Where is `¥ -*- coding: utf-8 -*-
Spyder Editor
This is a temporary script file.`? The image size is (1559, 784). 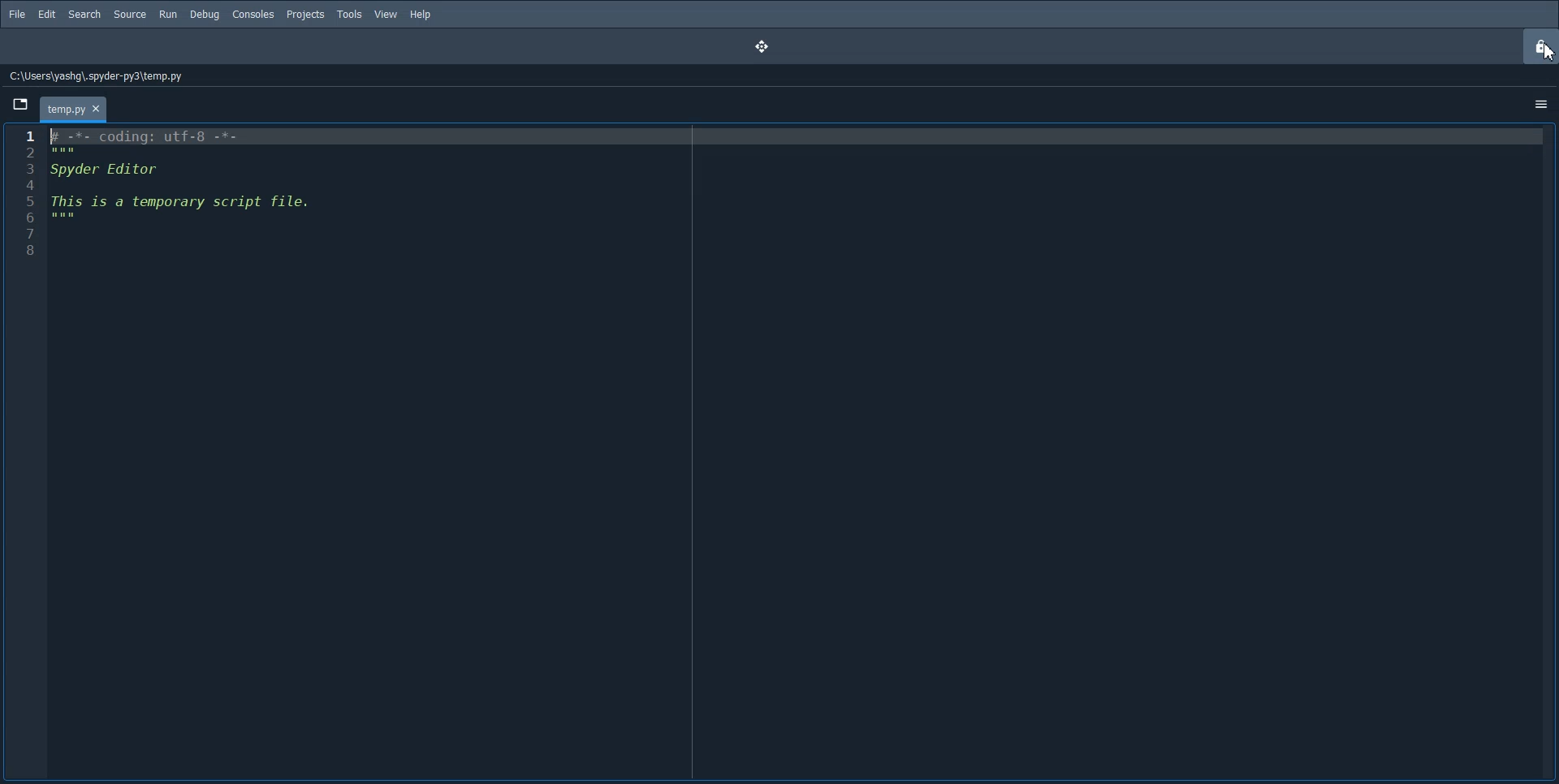
¥ -*- coding: utf-8 -*-
Spyder Editor
This is a temporary script file. is located at coordinates (180, 180).